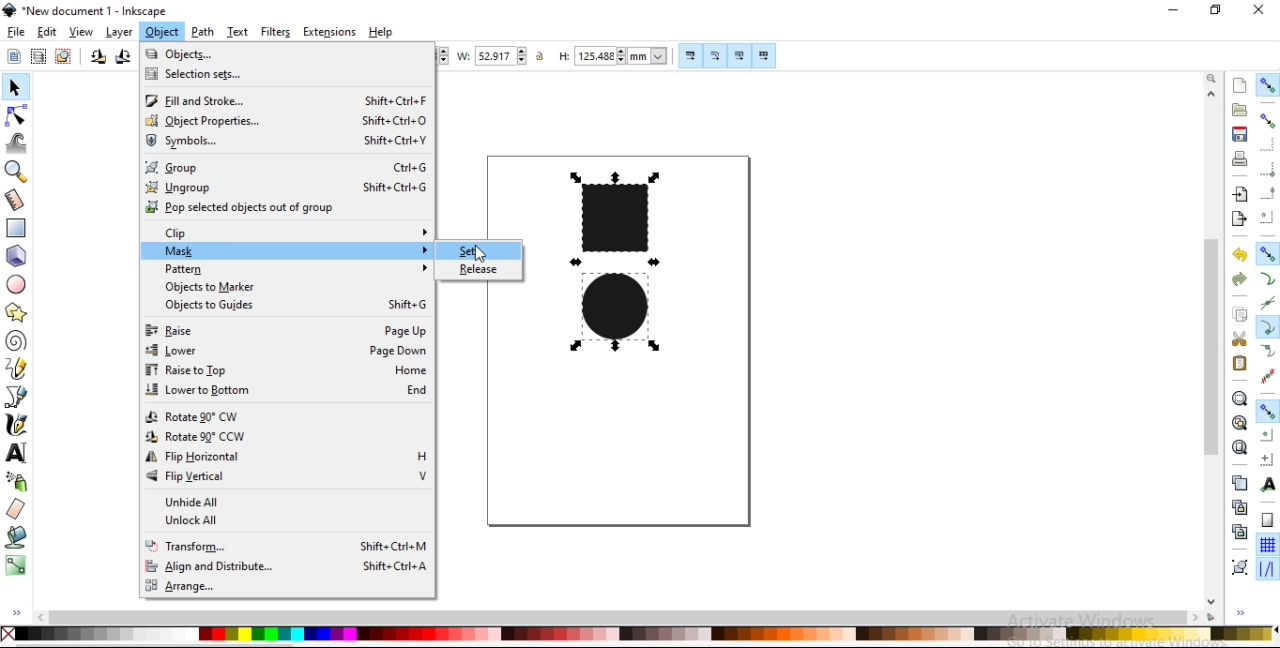  Describe the element at coordinates (16, 452) in the screenshot. I see `create and edit text objects` at that location.